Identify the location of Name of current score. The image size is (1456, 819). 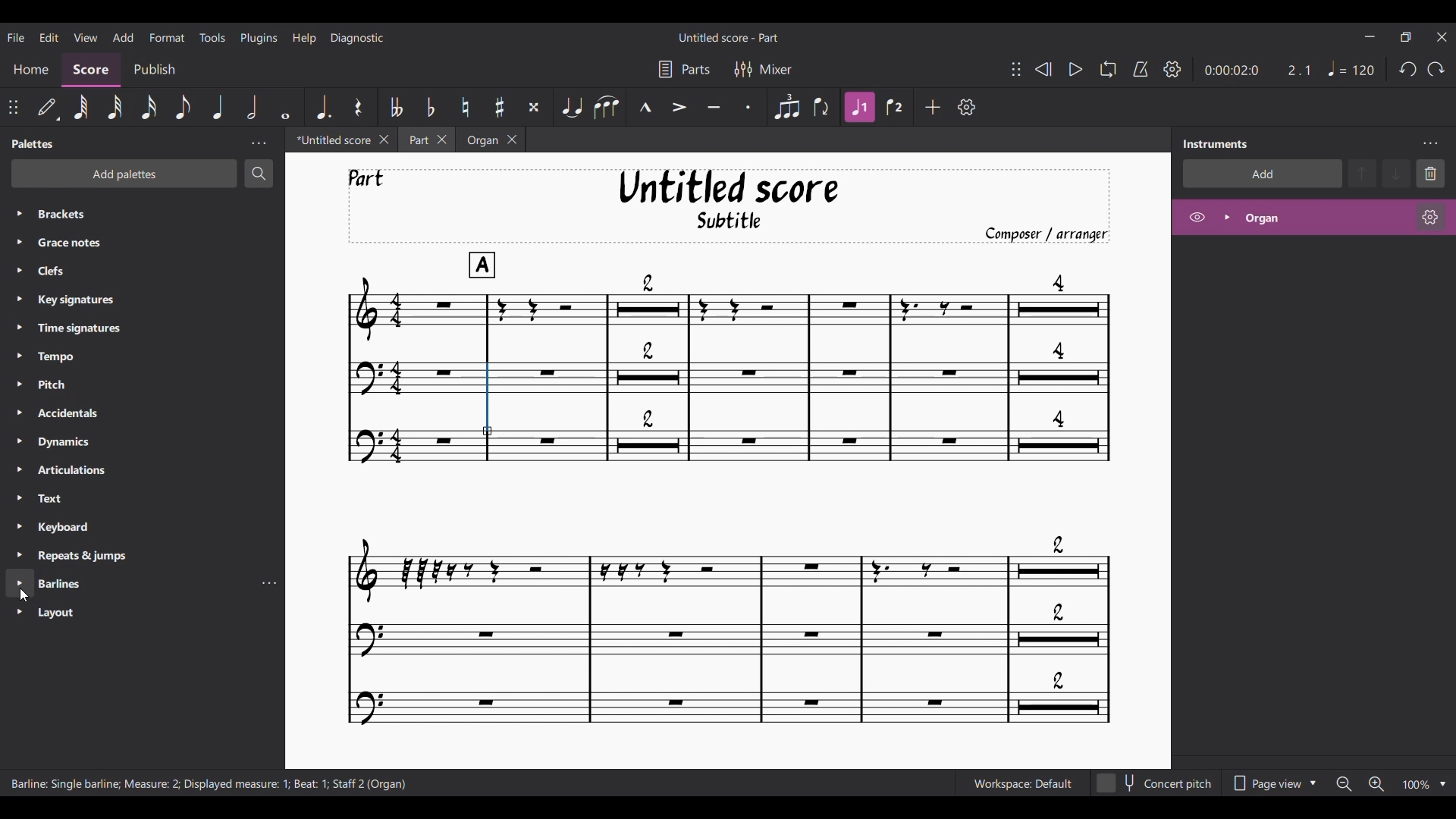
(729, 37).